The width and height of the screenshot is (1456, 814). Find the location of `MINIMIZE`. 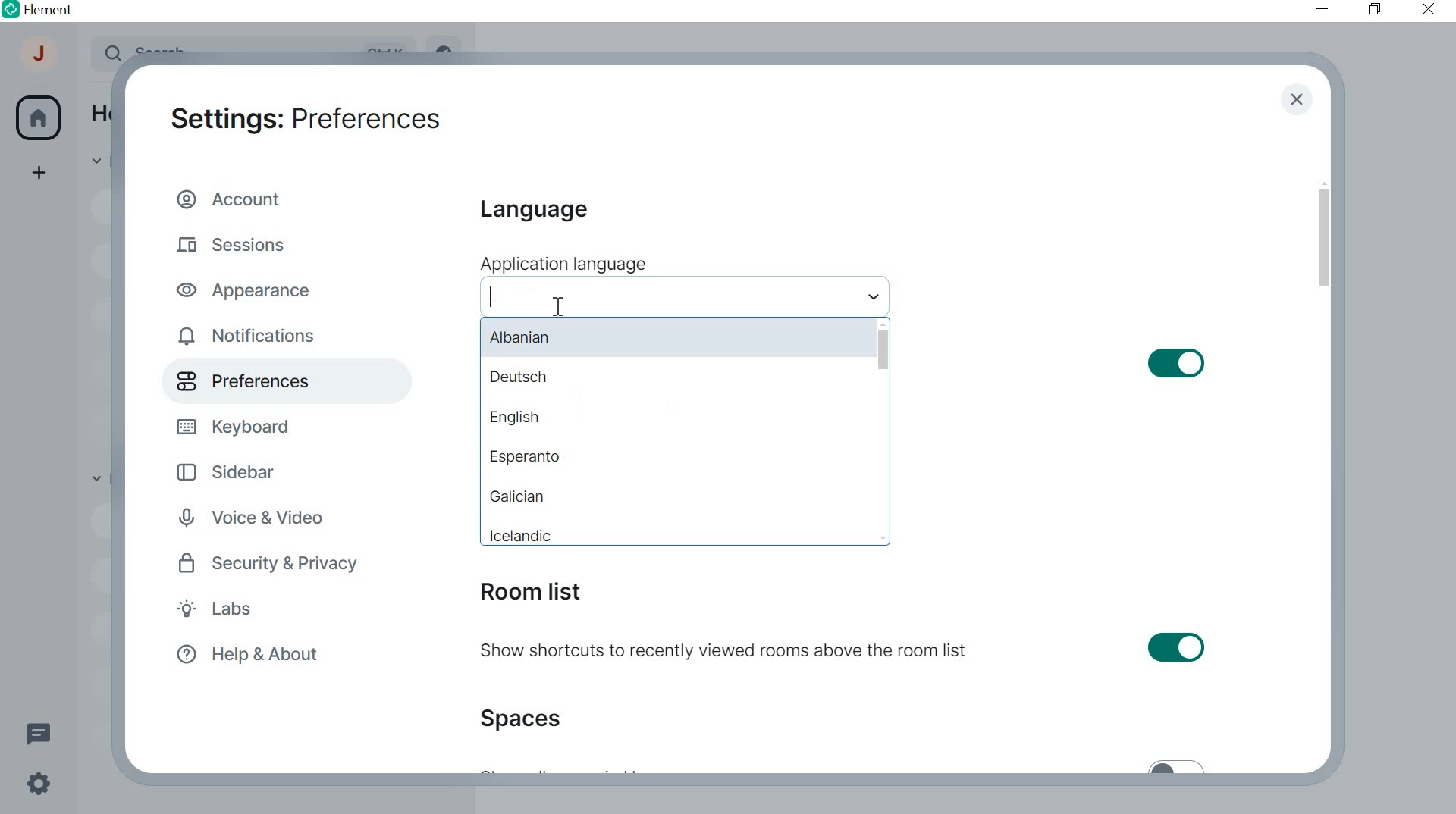

MINIMIZE is located at coordinates (1324, 9).